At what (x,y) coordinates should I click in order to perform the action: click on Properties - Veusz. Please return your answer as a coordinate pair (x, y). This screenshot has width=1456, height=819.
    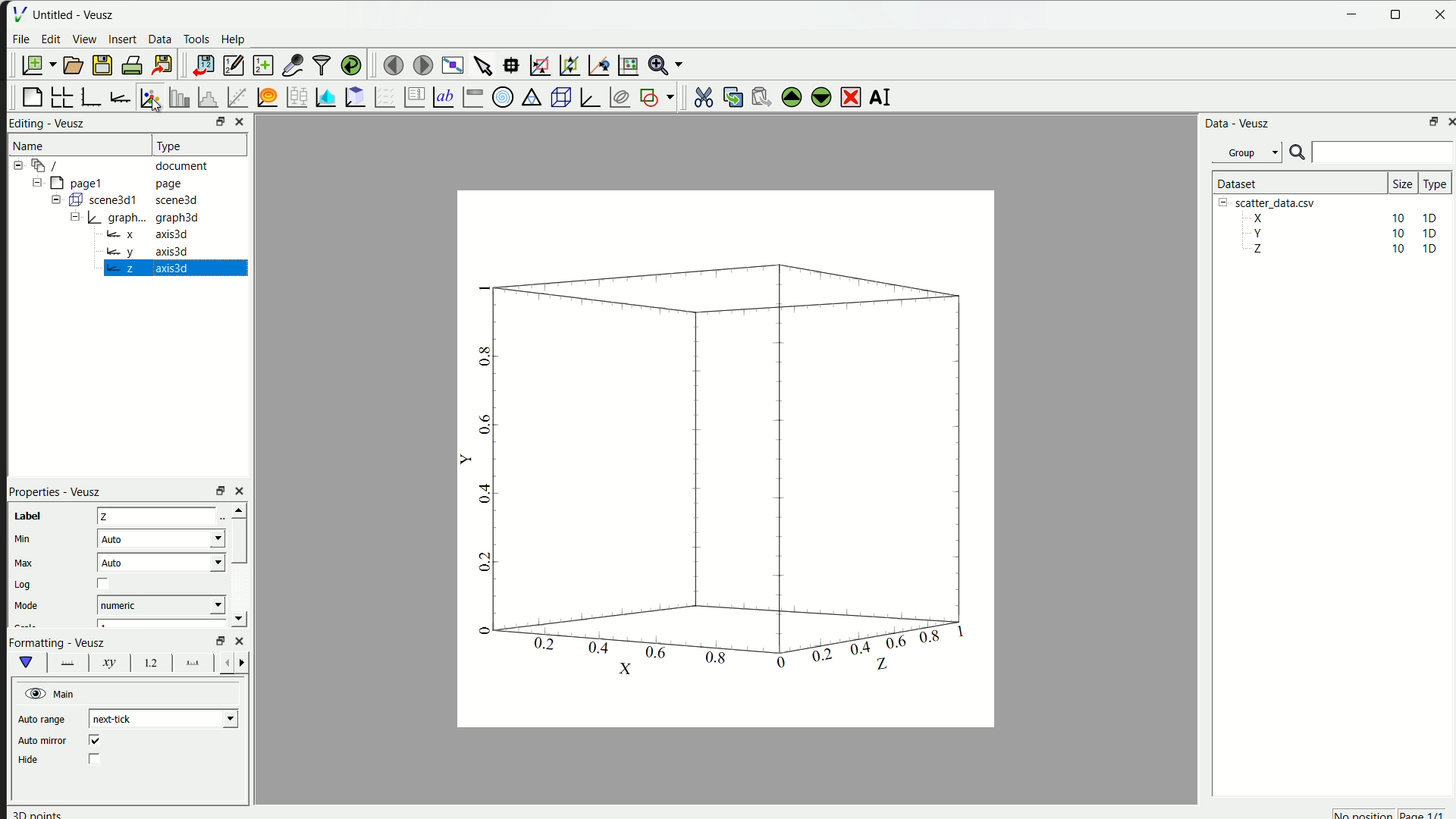
    Looking at the image, I should click on (55, 491).